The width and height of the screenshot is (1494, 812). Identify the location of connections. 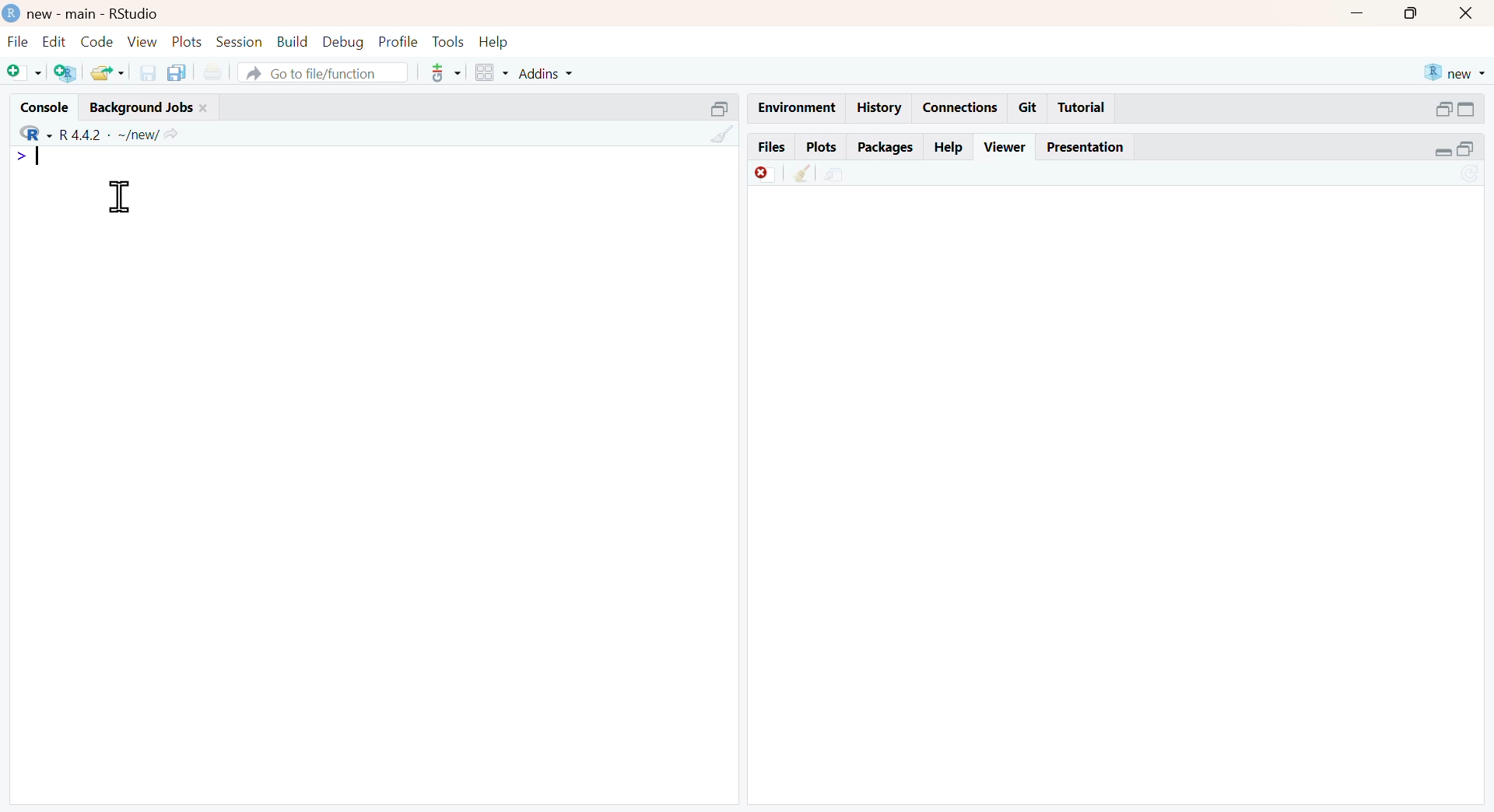
(961, 107).